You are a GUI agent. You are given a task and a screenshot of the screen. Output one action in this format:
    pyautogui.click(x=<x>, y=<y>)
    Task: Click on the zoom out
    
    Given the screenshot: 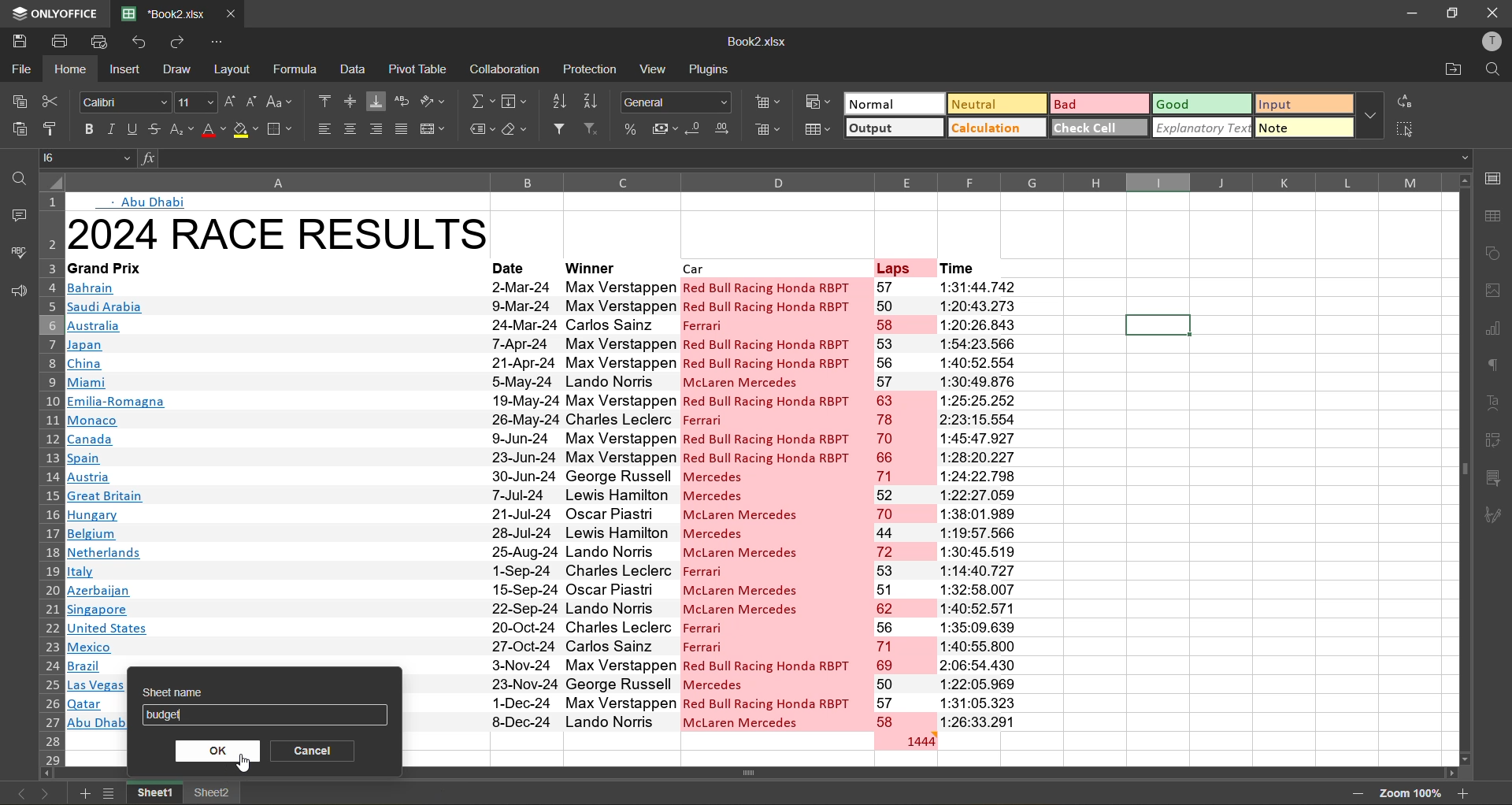 What is the action you would take?
    pyautogui.click(x=1357, y=795)
    